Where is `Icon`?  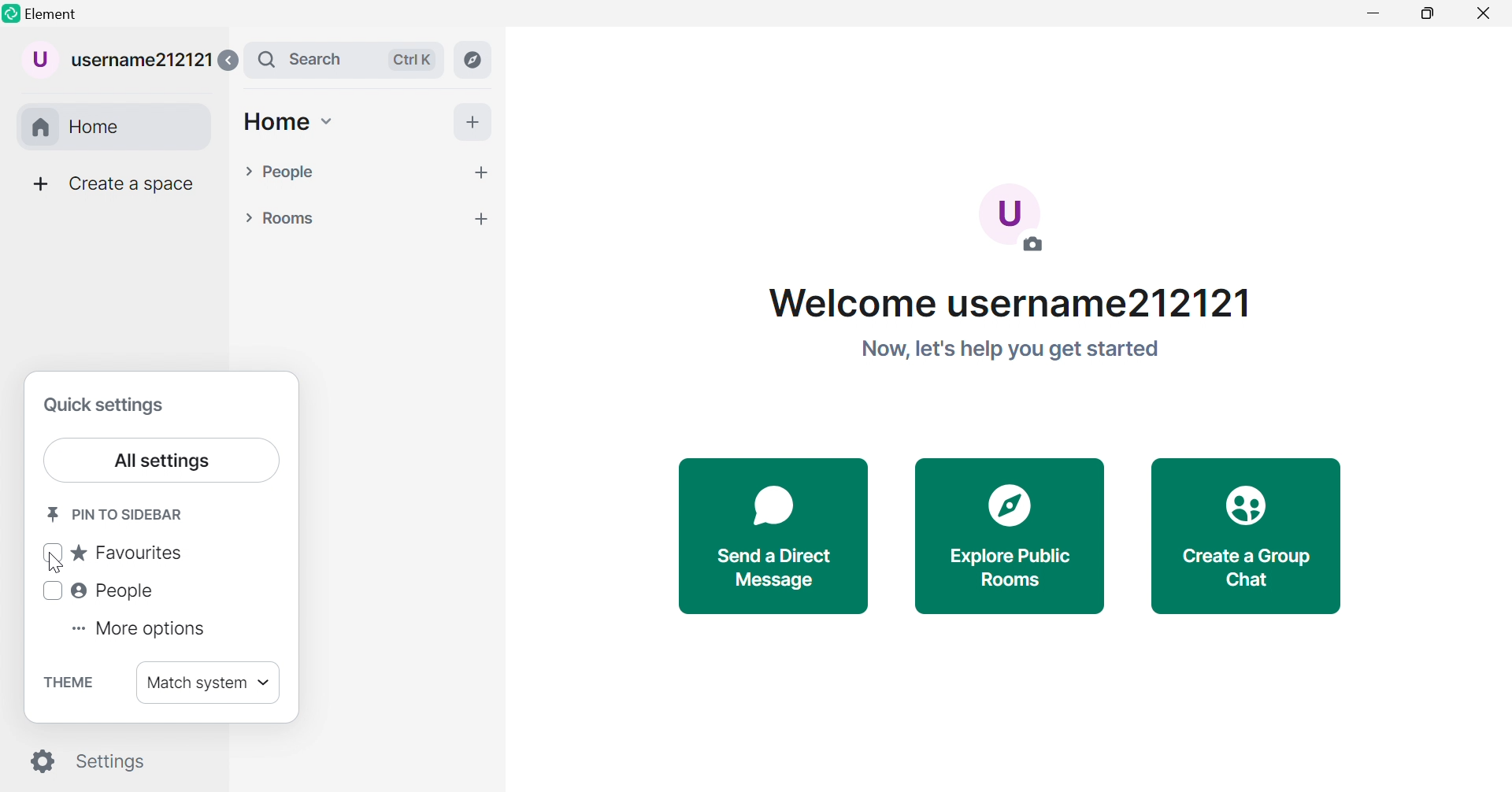 Icon is located at coordinates (773, 509).